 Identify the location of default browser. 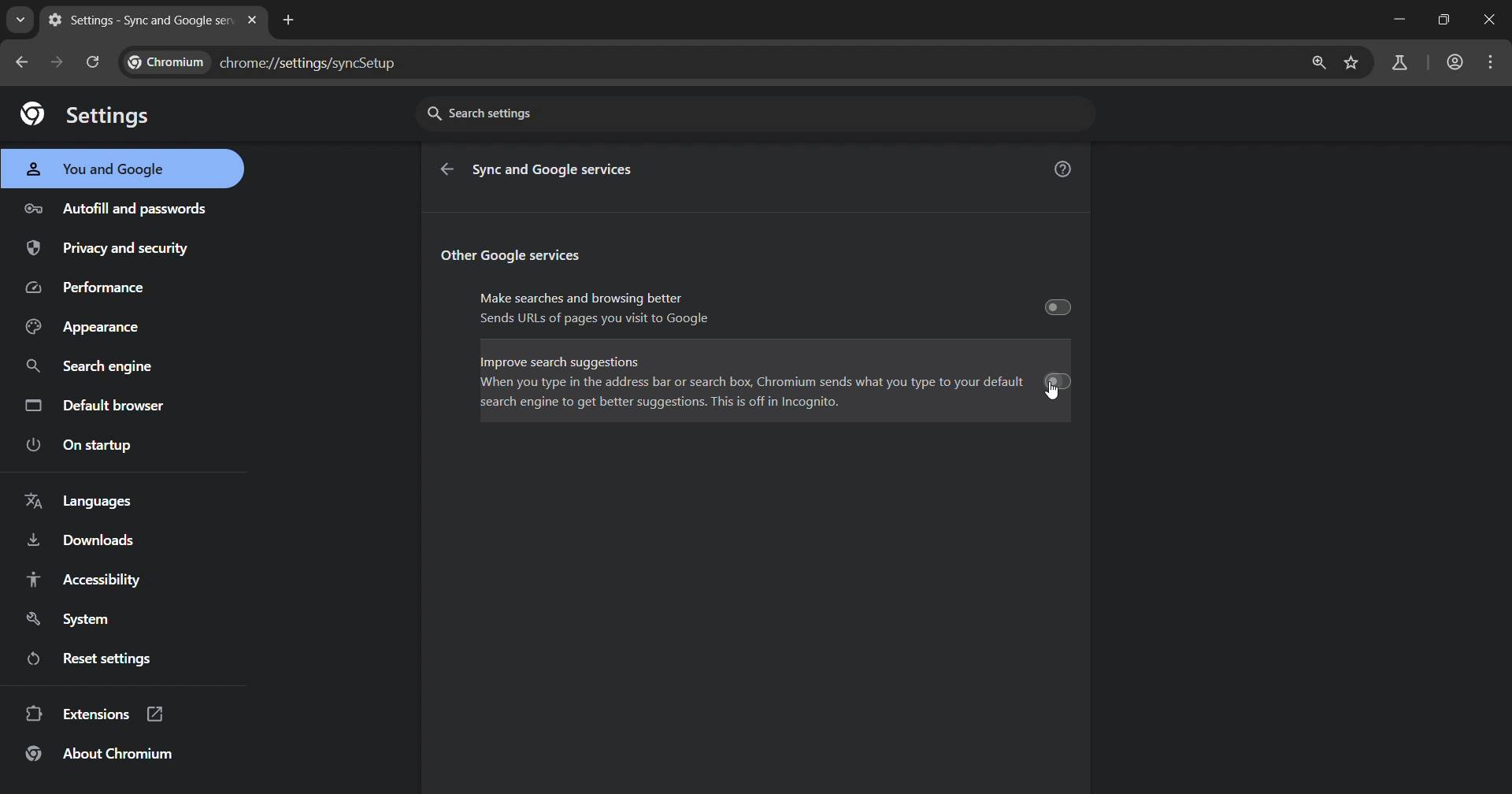
(91, 404).